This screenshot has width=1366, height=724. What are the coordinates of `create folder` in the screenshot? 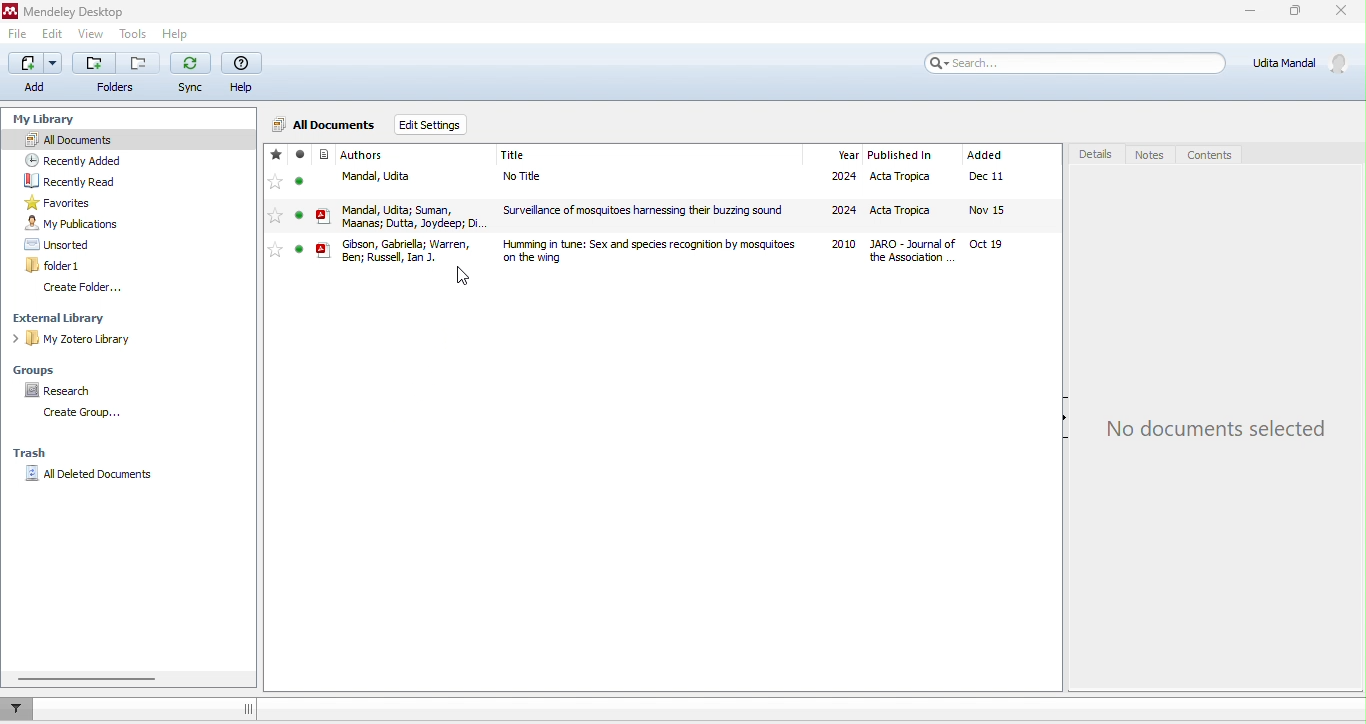 It's located at (84, 288).